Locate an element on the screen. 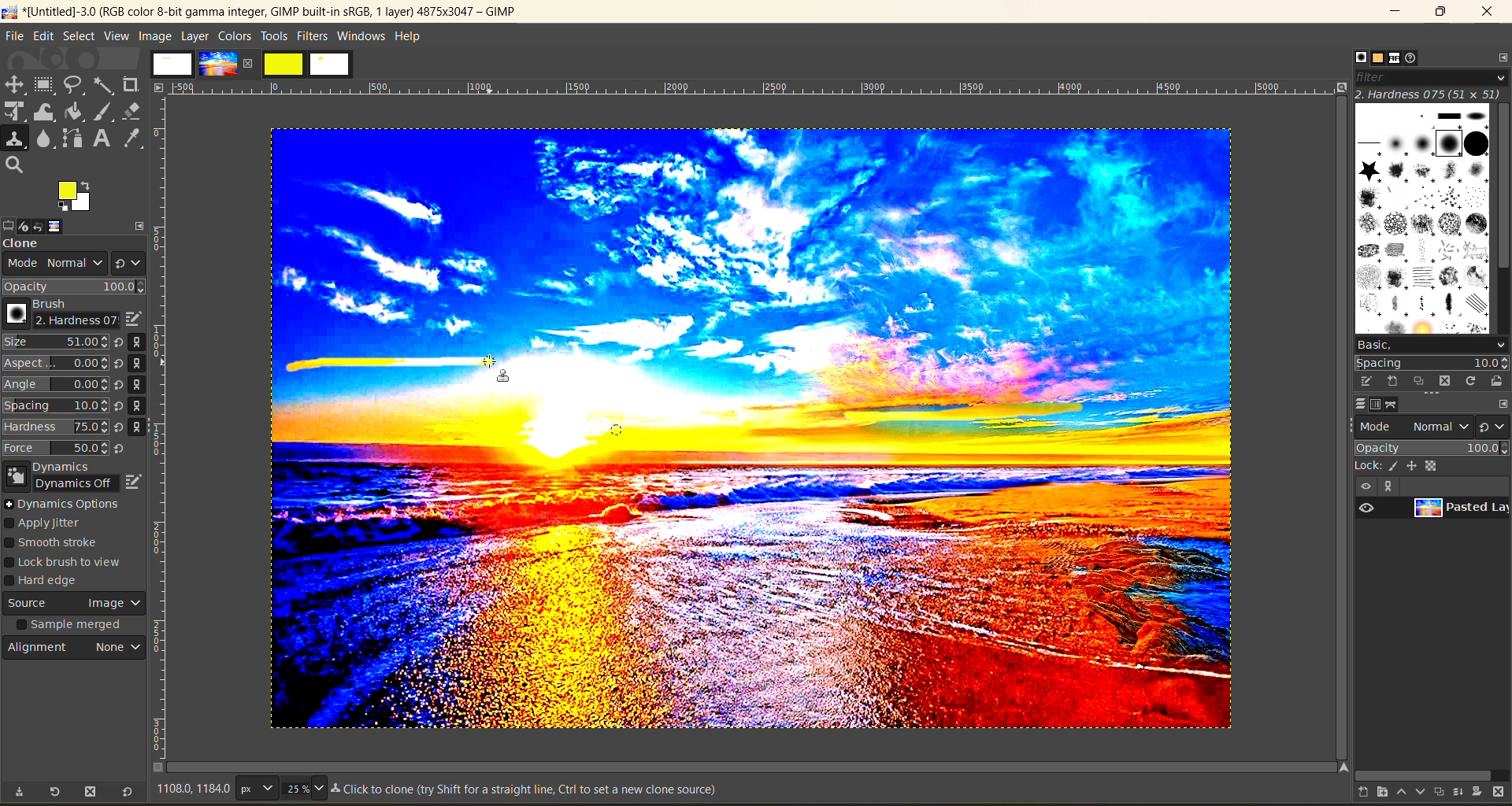  dynamics options is located at coordinates (67, 504).